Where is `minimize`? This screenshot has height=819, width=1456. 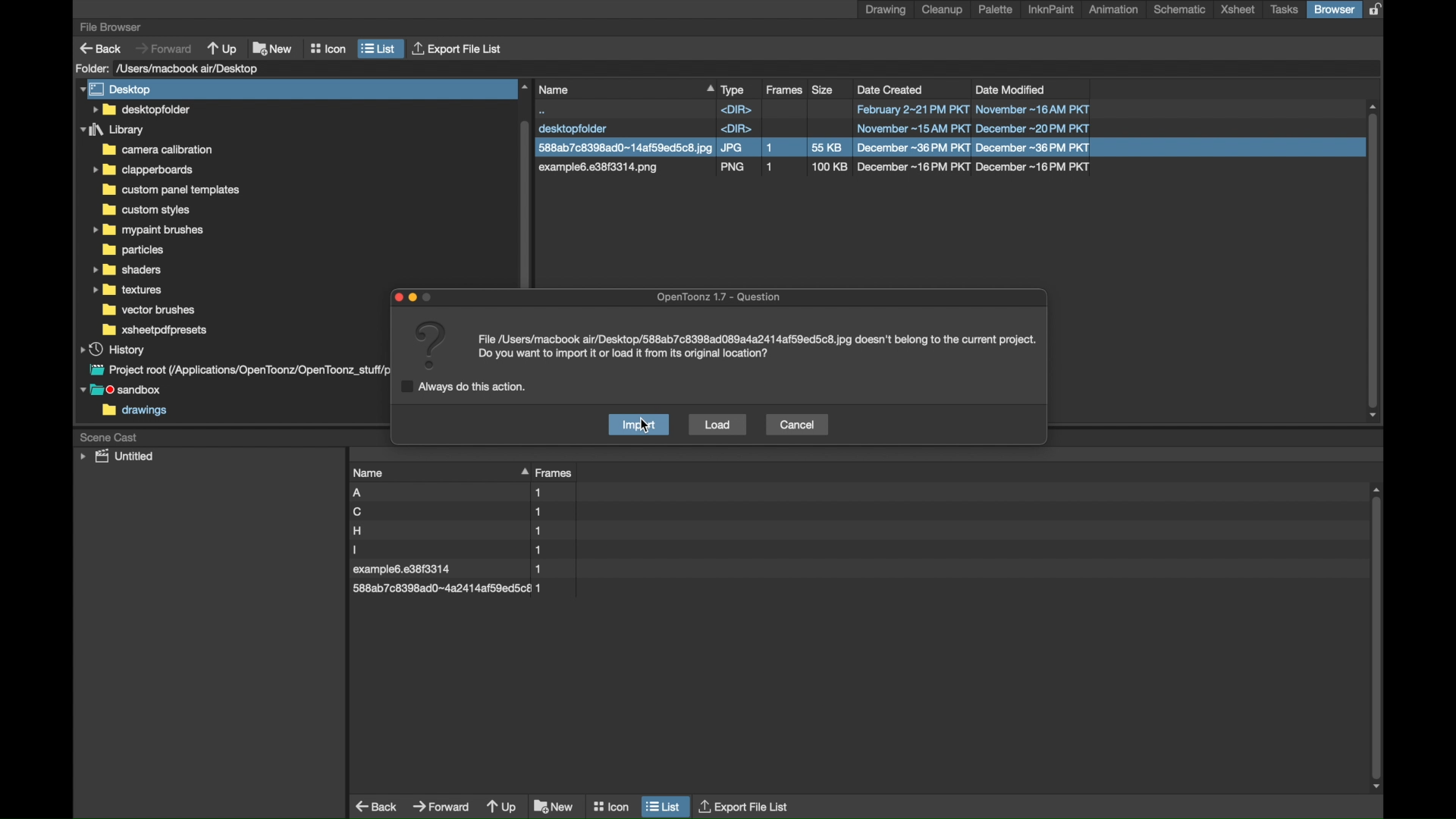
minimize is located at coordinates (413, 293).